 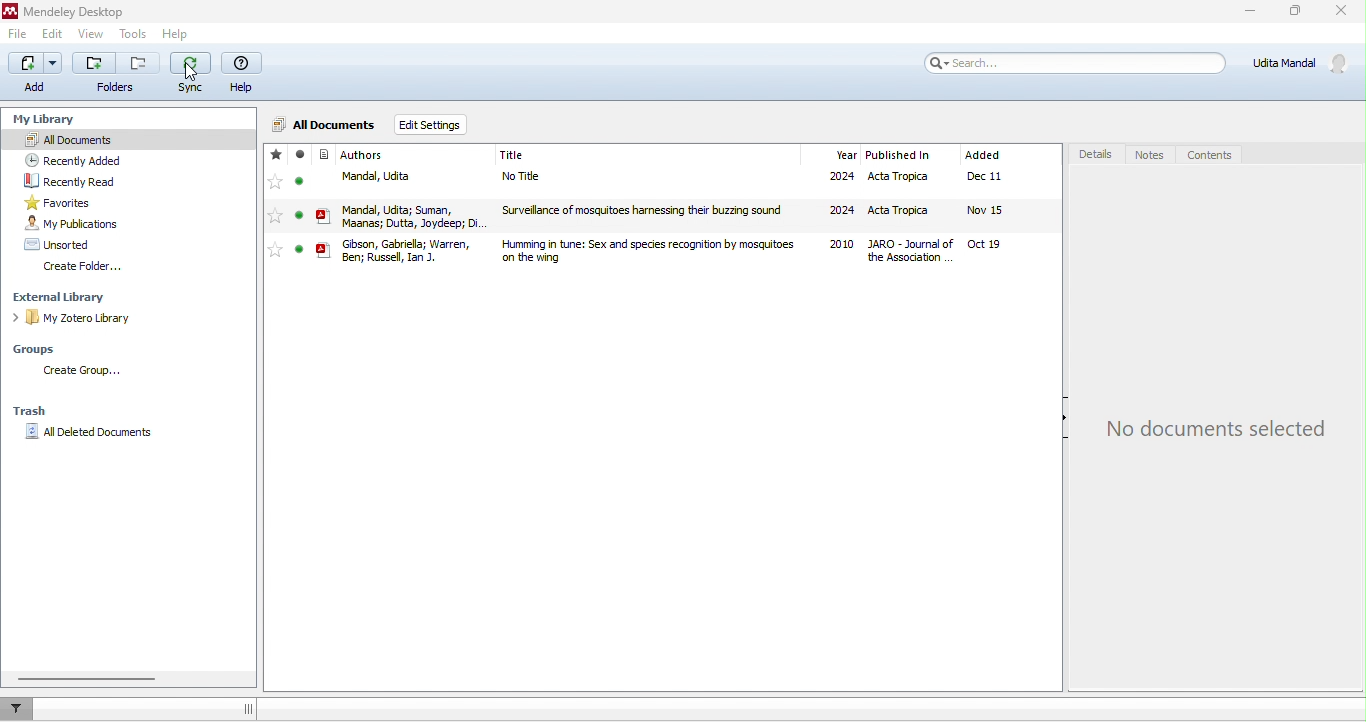 What do you see at coordinates (1076, 63) in the screenshot?
I see `search bar` at bounding box center [1076, 63].